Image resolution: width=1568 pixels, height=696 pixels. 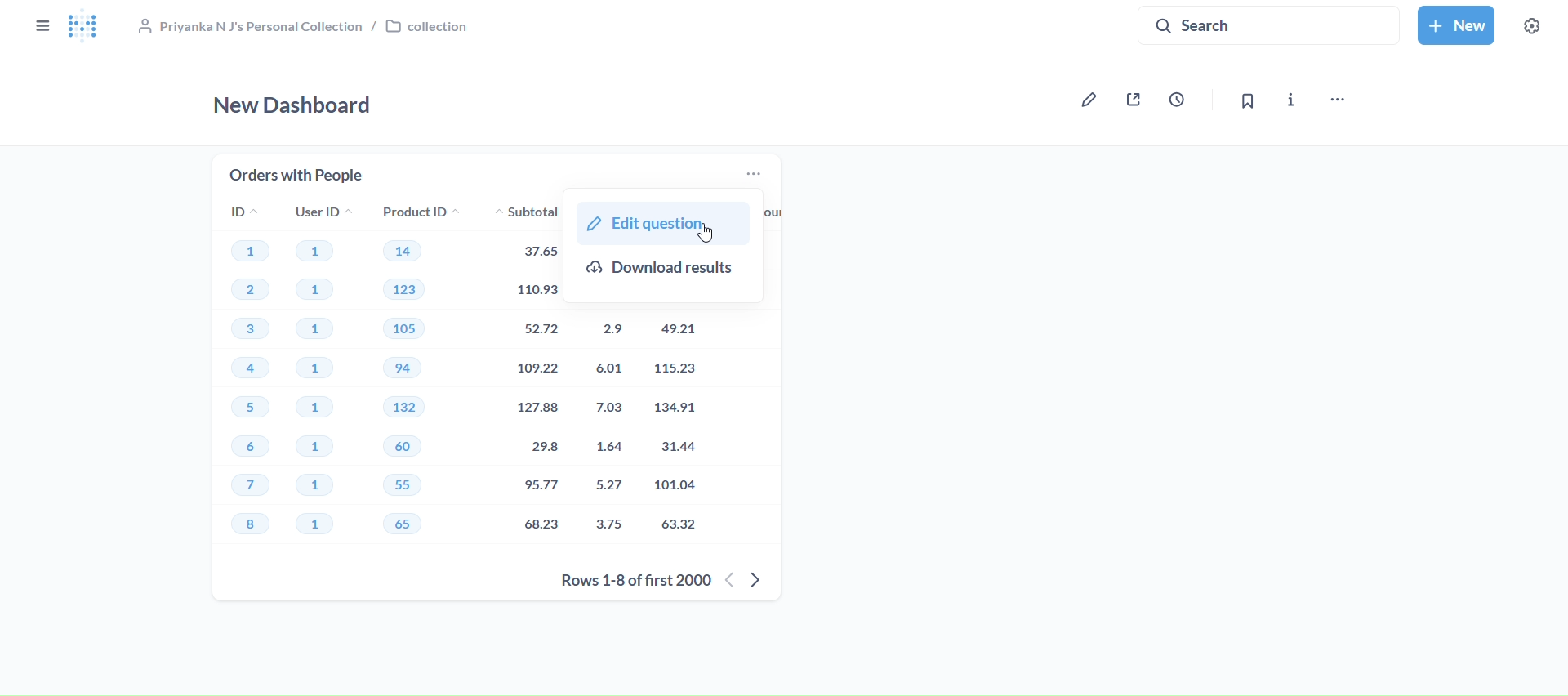 What do you see at coordinates (300, 102) in the screenshot?
I see `new dashboard` at bounding box center [300, 102].